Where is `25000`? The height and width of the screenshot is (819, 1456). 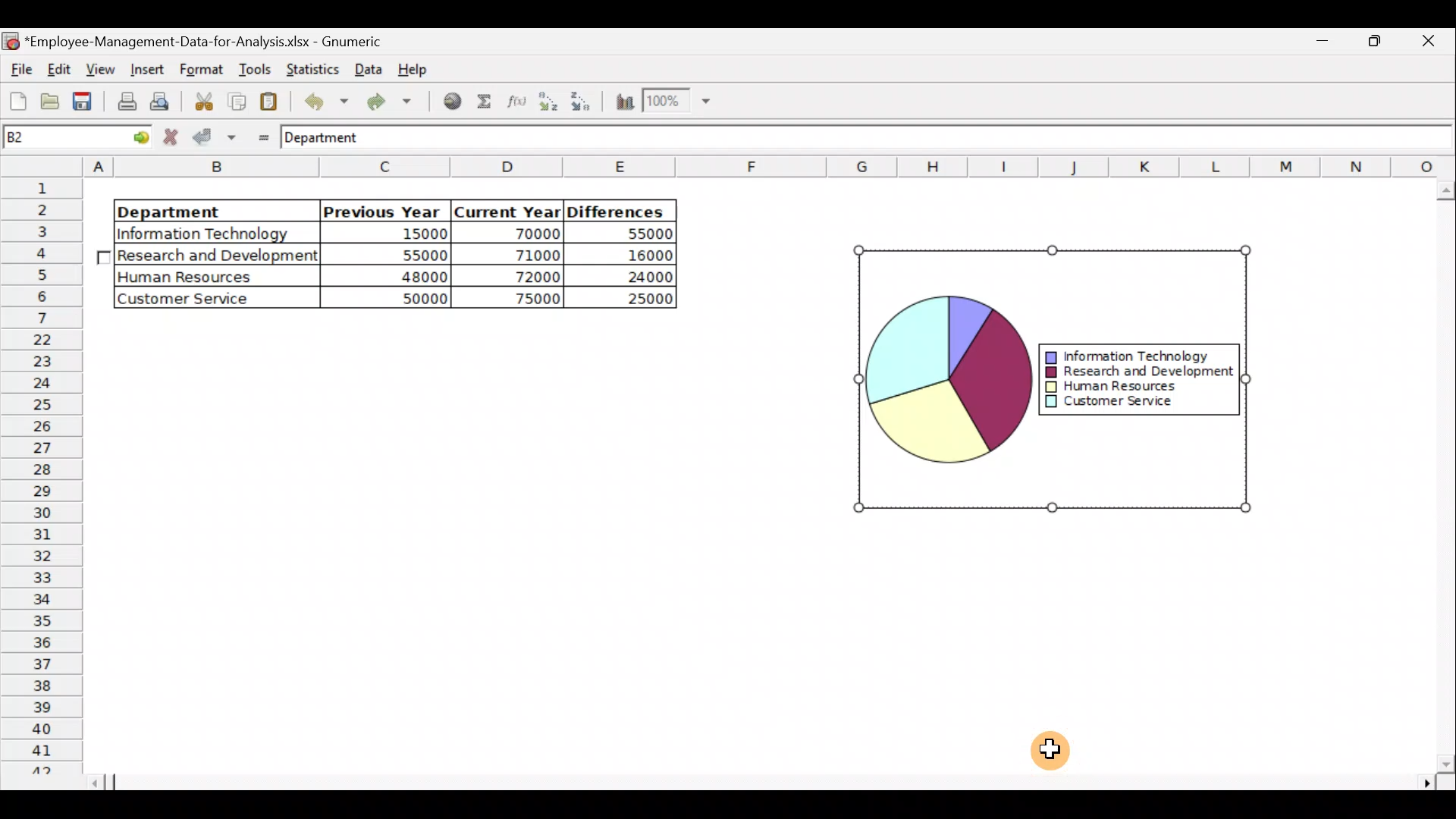
25000 is located at coordinates (632, 299).